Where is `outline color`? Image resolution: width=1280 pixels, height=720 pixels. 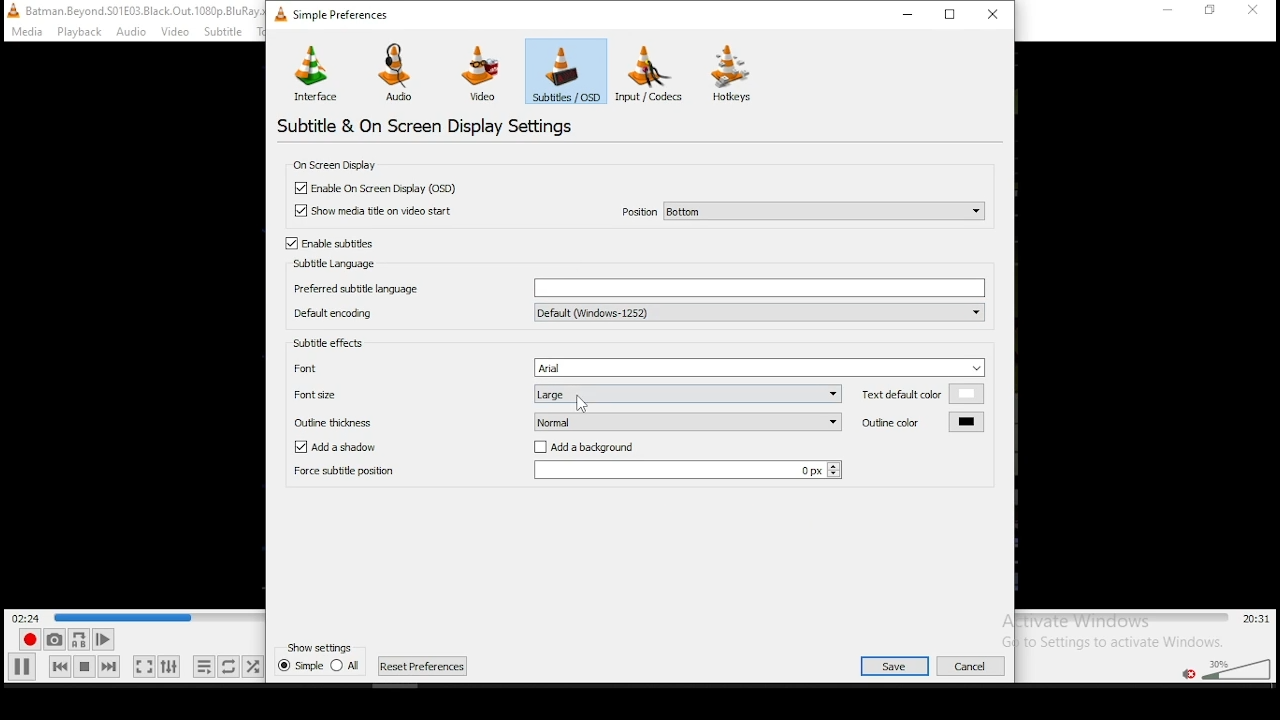
outline color is located at coordinates (923, 421).